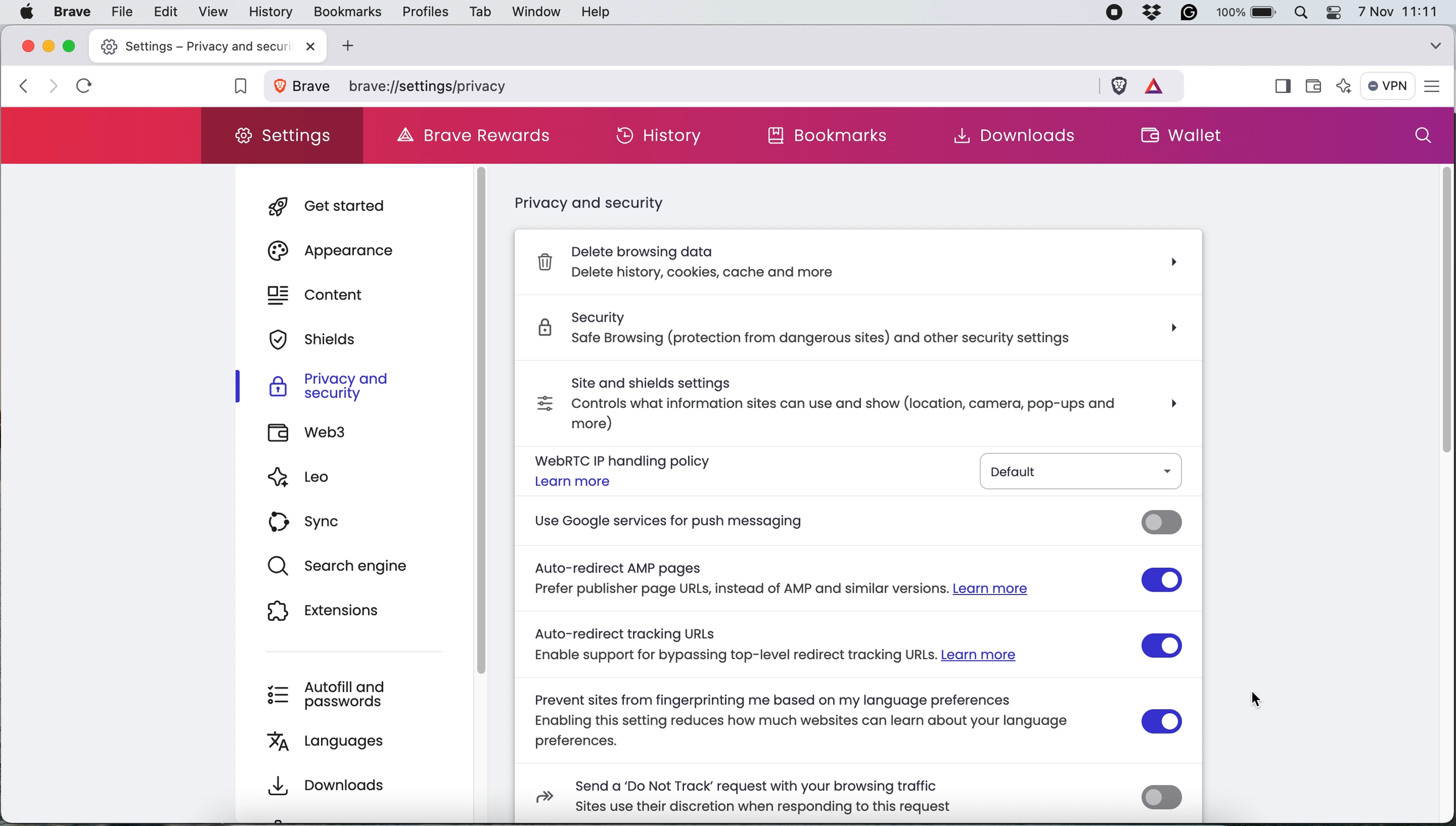  Describe the element at coordinates (164, 11) in the screenshot. I see `edit` at that location.